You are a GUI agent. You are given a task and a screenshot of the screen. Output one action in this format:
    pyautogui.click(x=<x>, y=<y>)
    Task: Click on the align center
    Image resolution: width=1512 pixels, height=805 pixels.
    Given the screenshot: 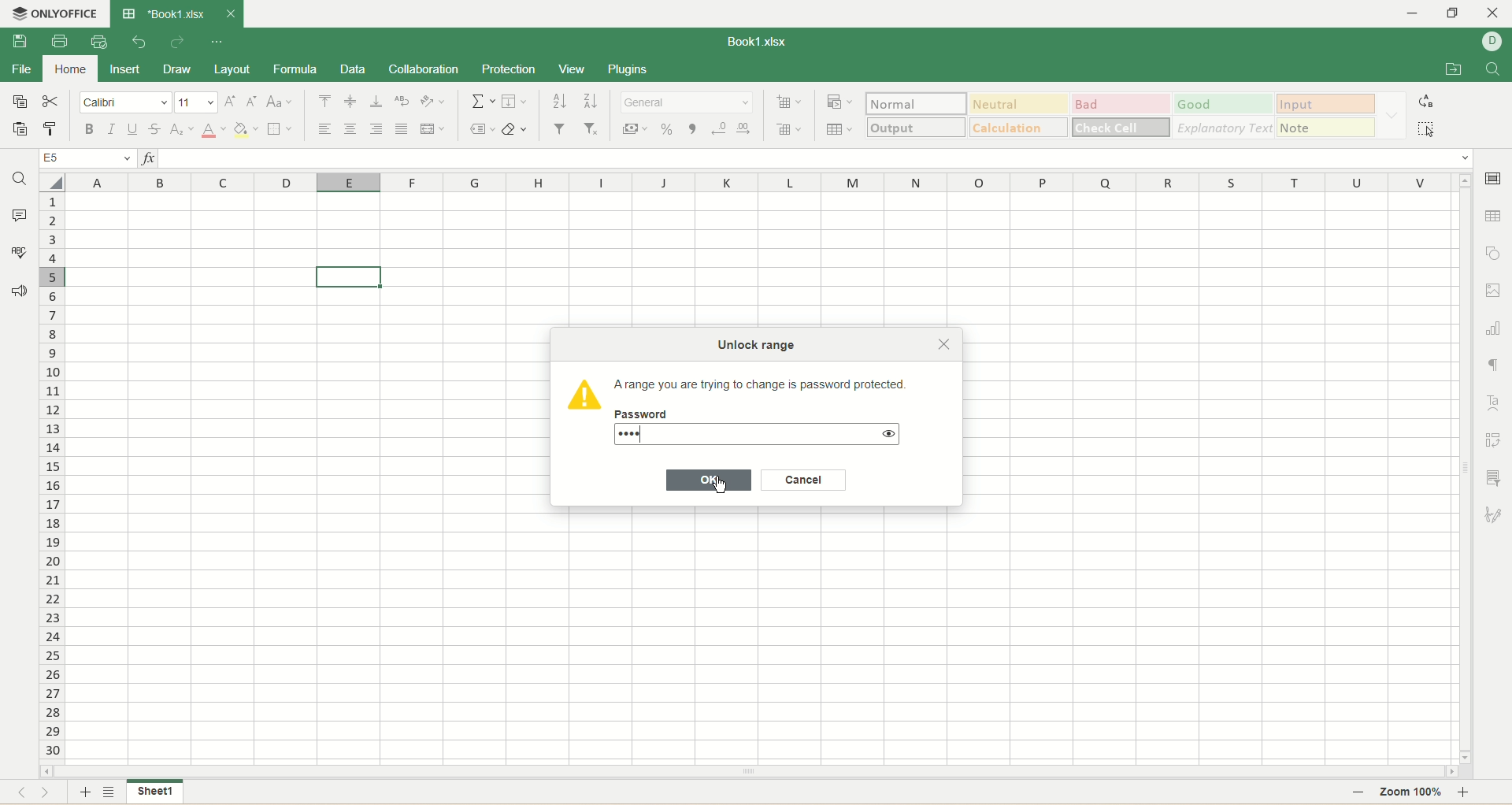 What is the action you would take?
    pyautogui.click(x=351, y=129)
    